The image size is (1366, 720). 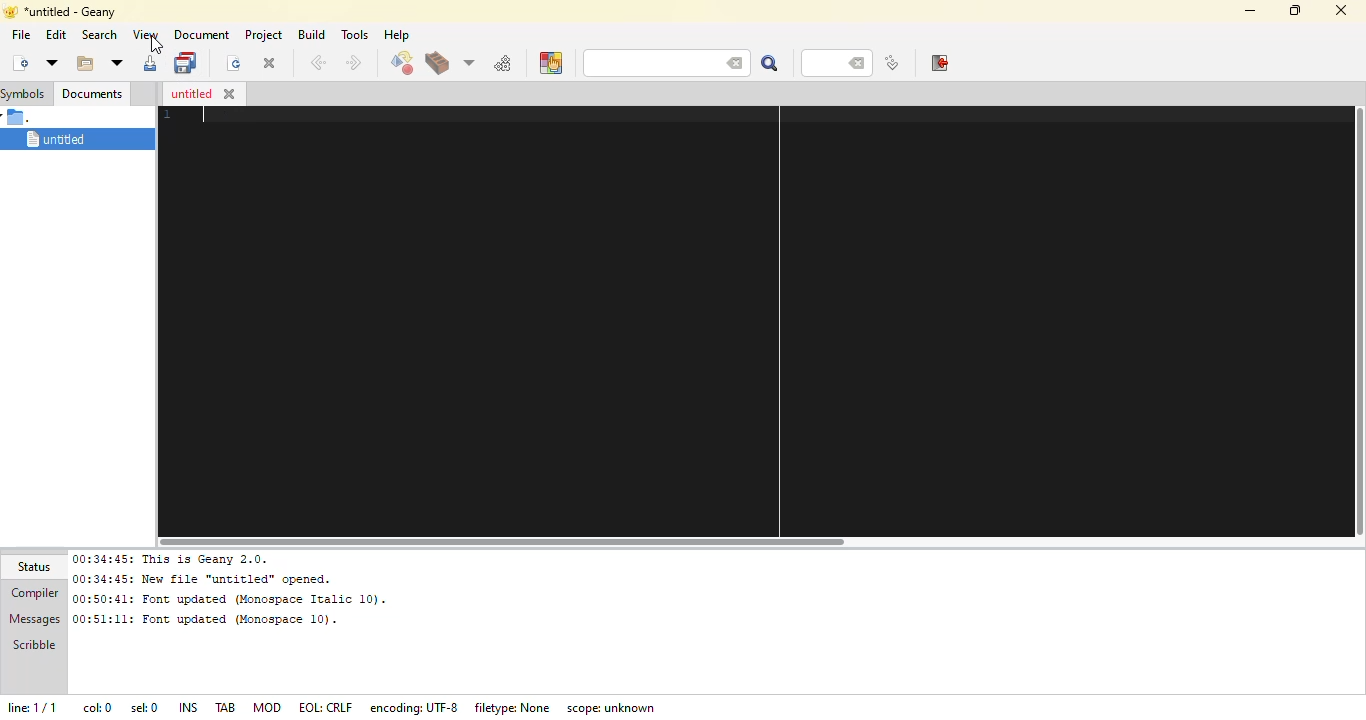 What do you see at coordinates (188, 706) in the screenshot?
I see `ins` at bounding box center [188, 706].